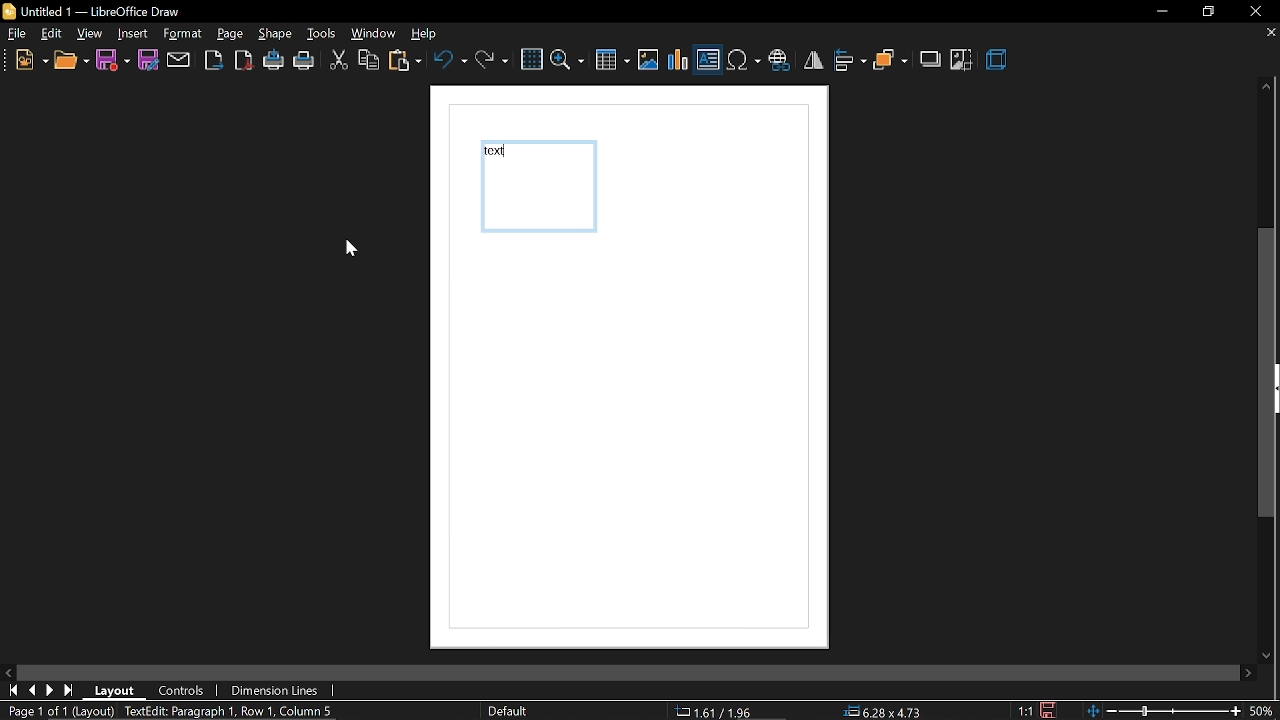  I want to click on new, so click(31, 62).